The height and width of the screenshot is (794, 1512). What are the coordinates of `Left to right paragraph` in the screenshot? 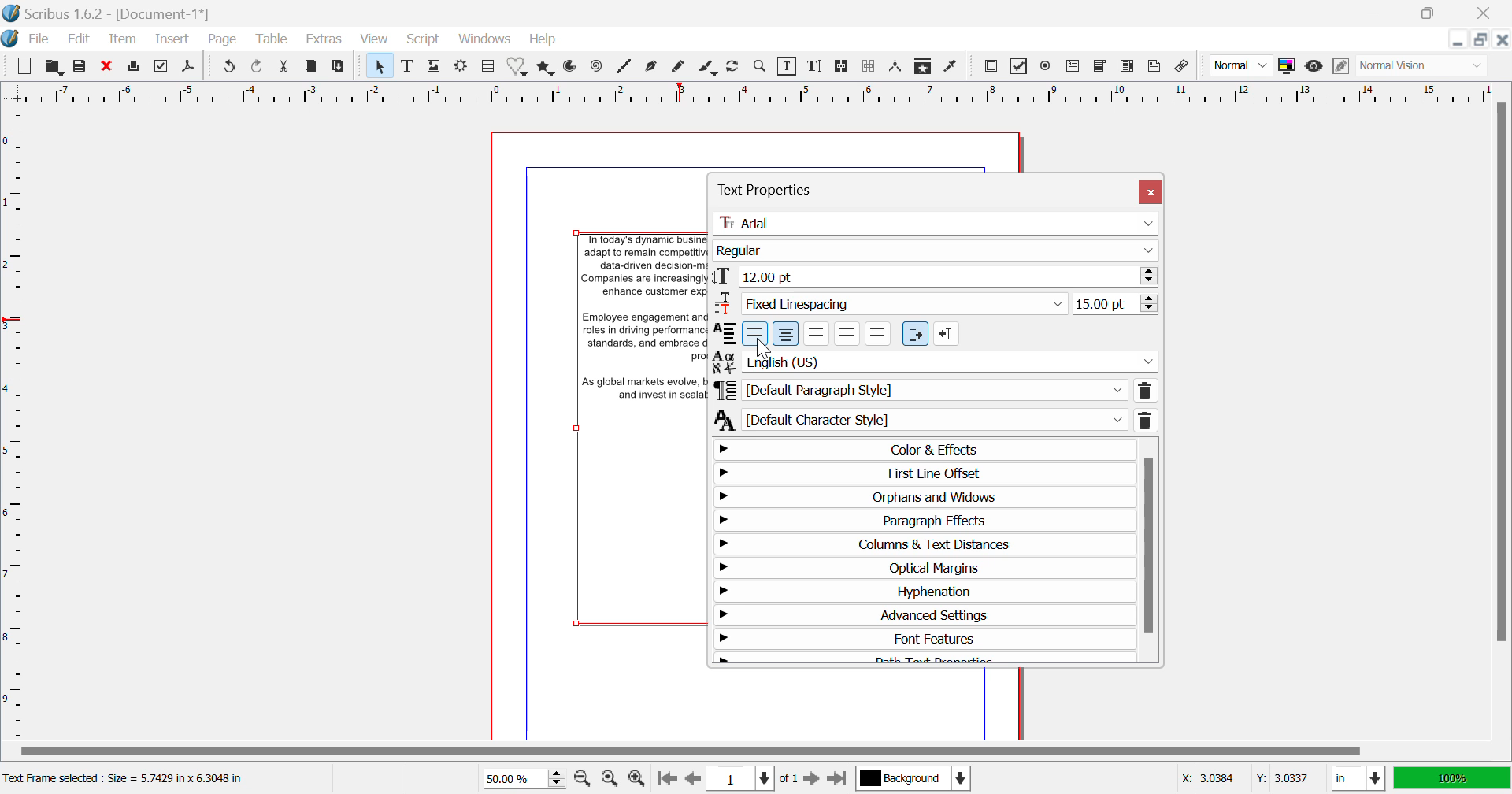 It's located at (913, 332).